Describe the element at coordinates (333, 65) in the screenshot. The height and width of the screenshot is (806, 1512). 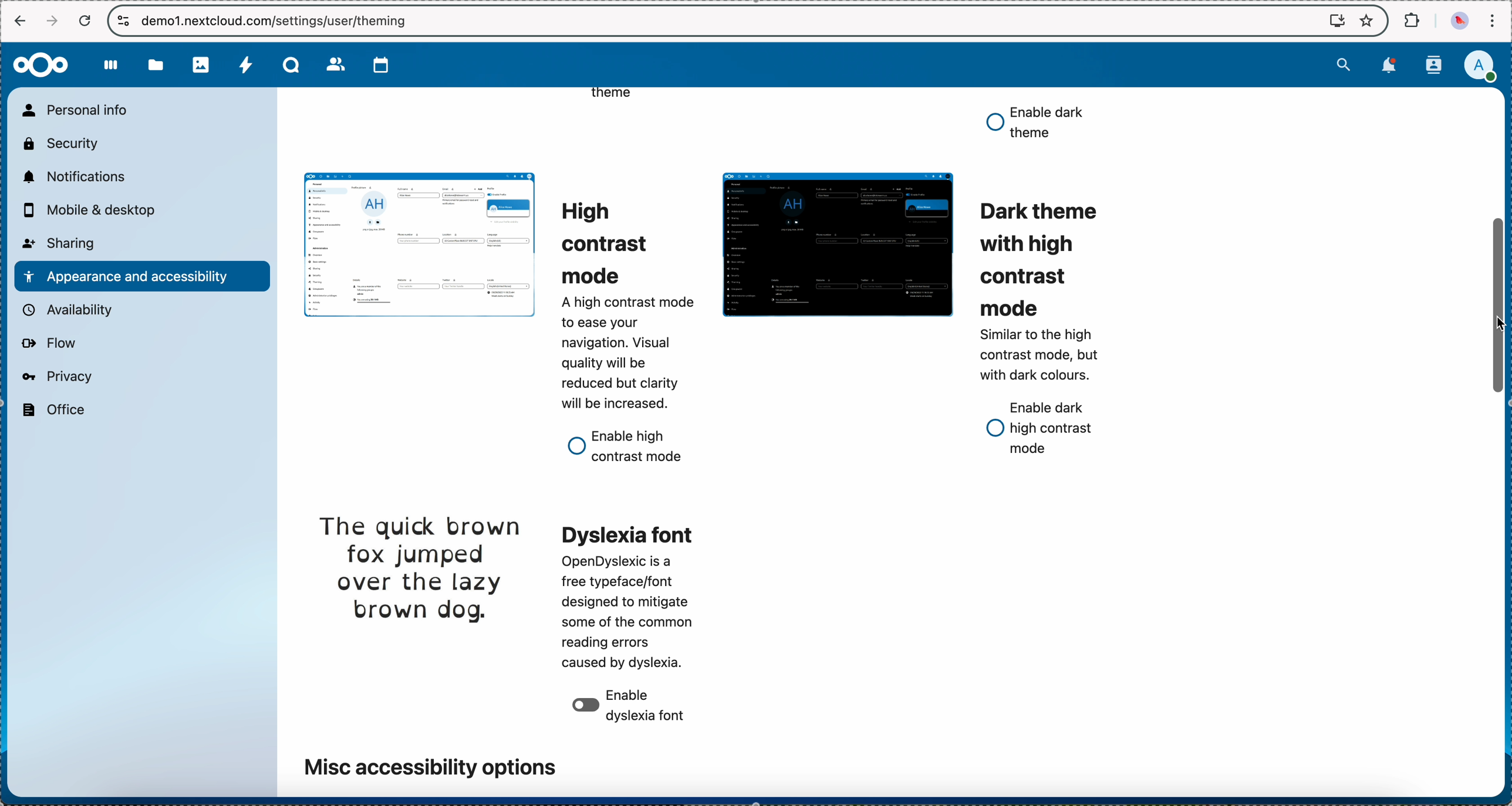
I see `contacts` at that location.